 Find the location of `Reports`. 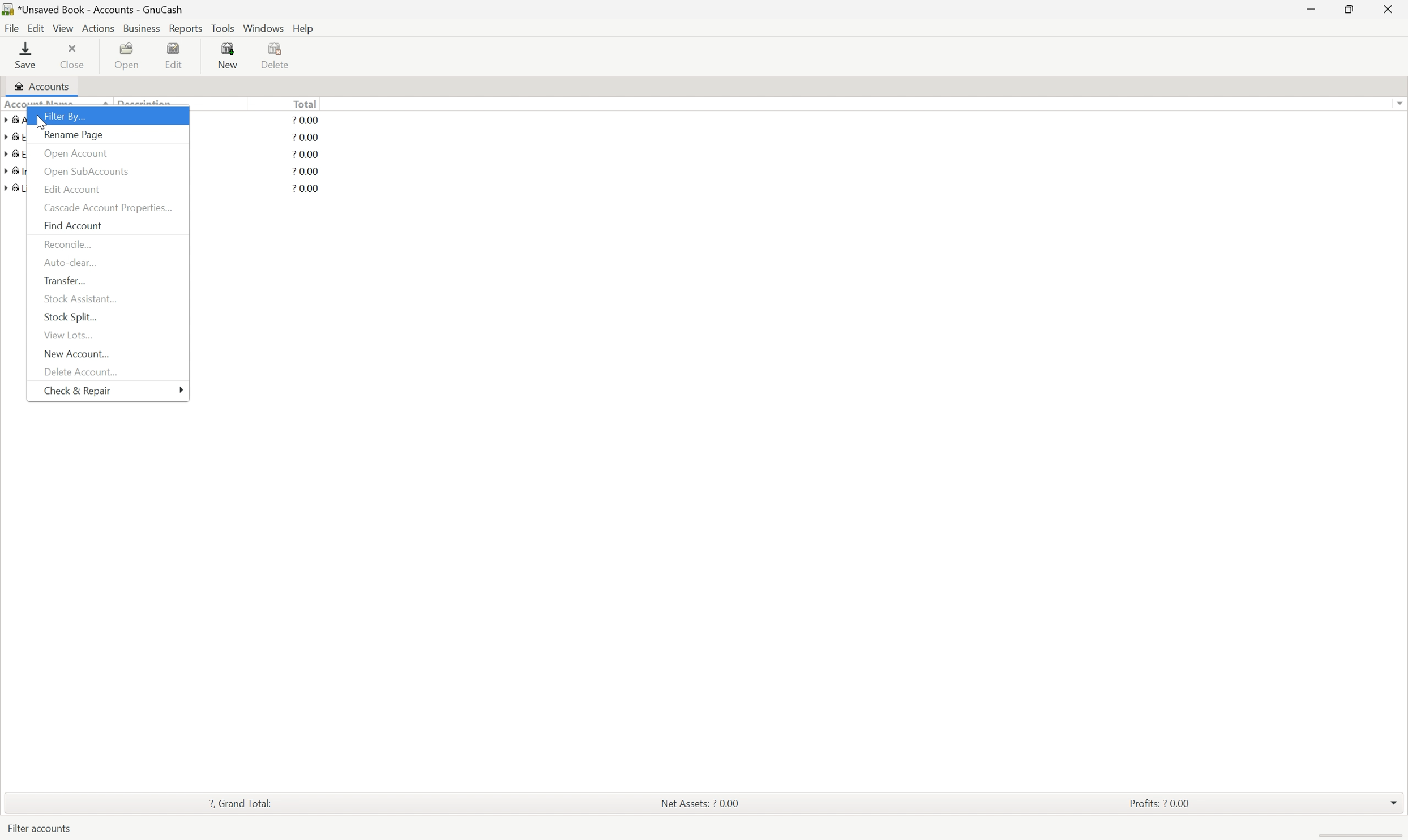

Reports is located at coordinates (184, 28).